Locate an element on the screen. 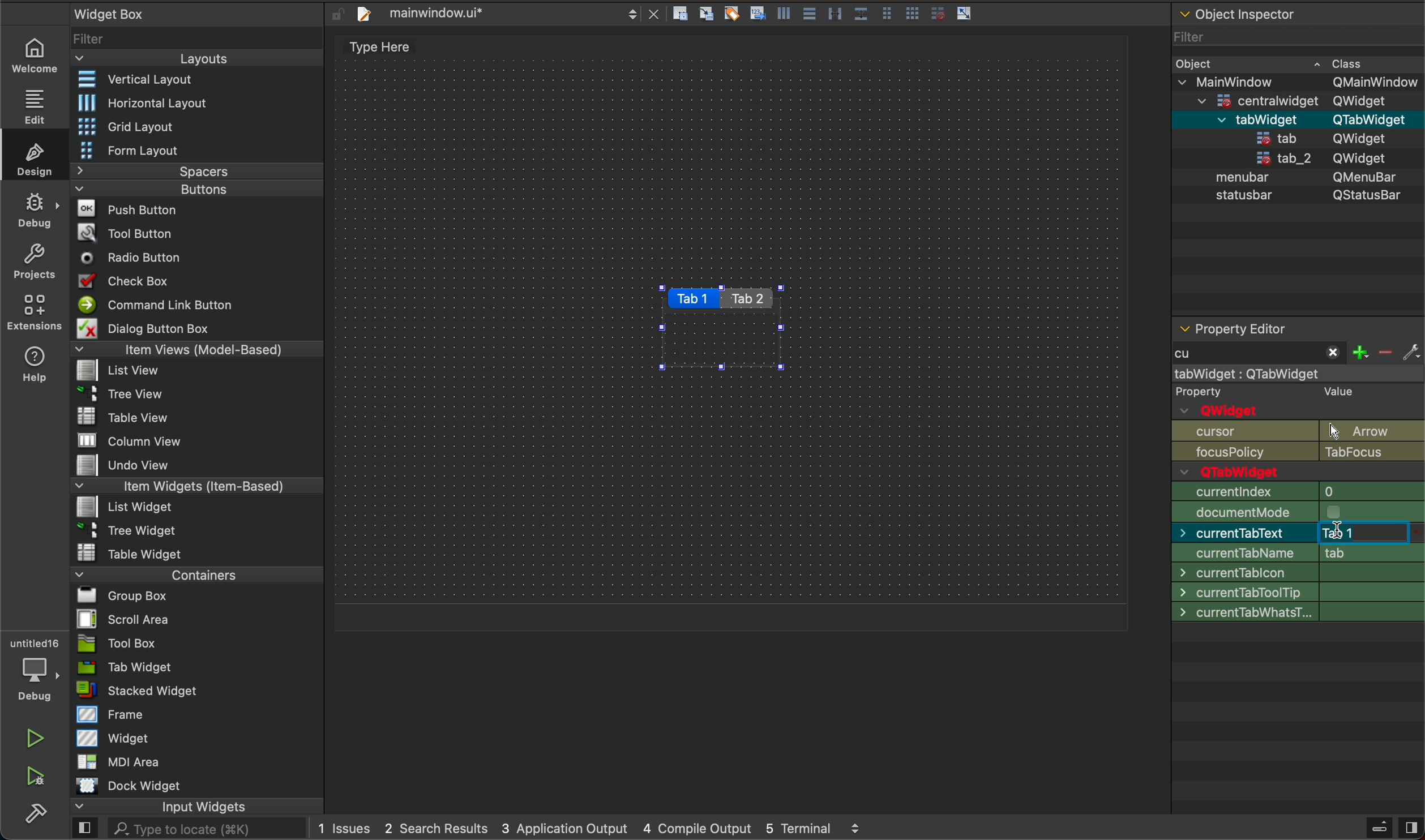 The width and height of the screenshot is (1425, 840). enabled is located at coordinates (1295, 470).